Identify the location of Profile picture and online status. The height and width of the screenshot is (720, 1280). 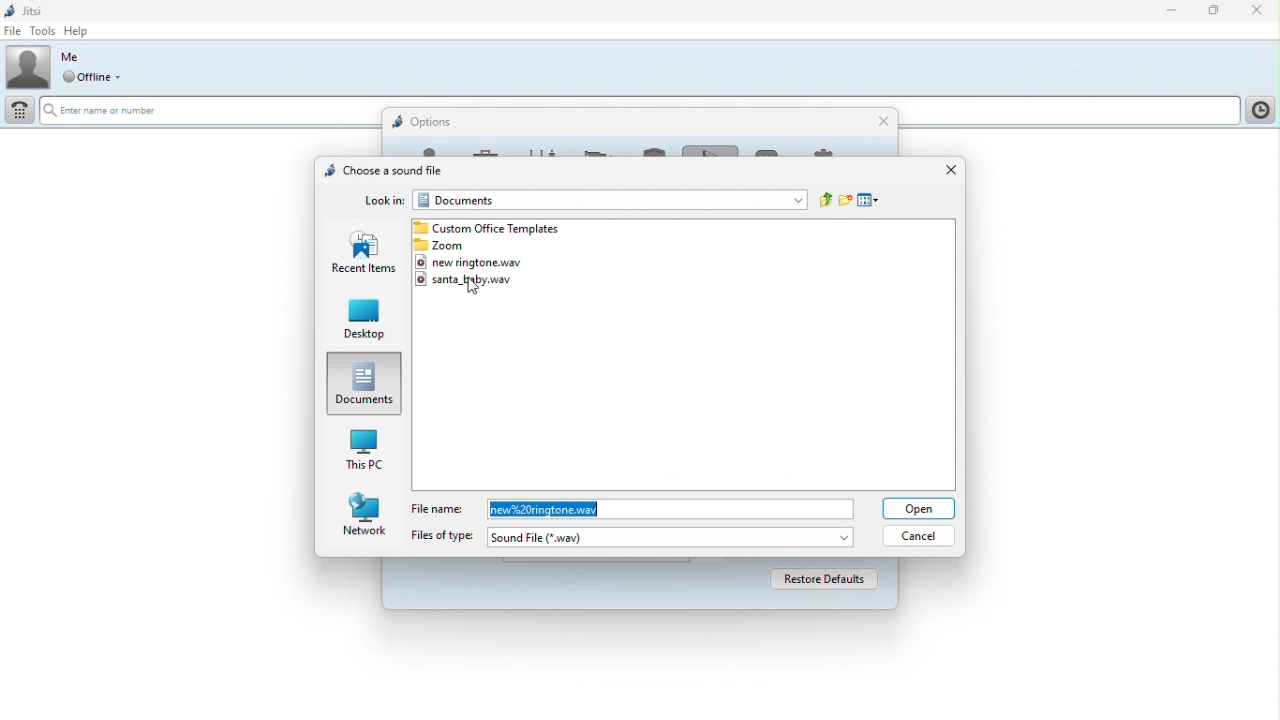
(70, 67).